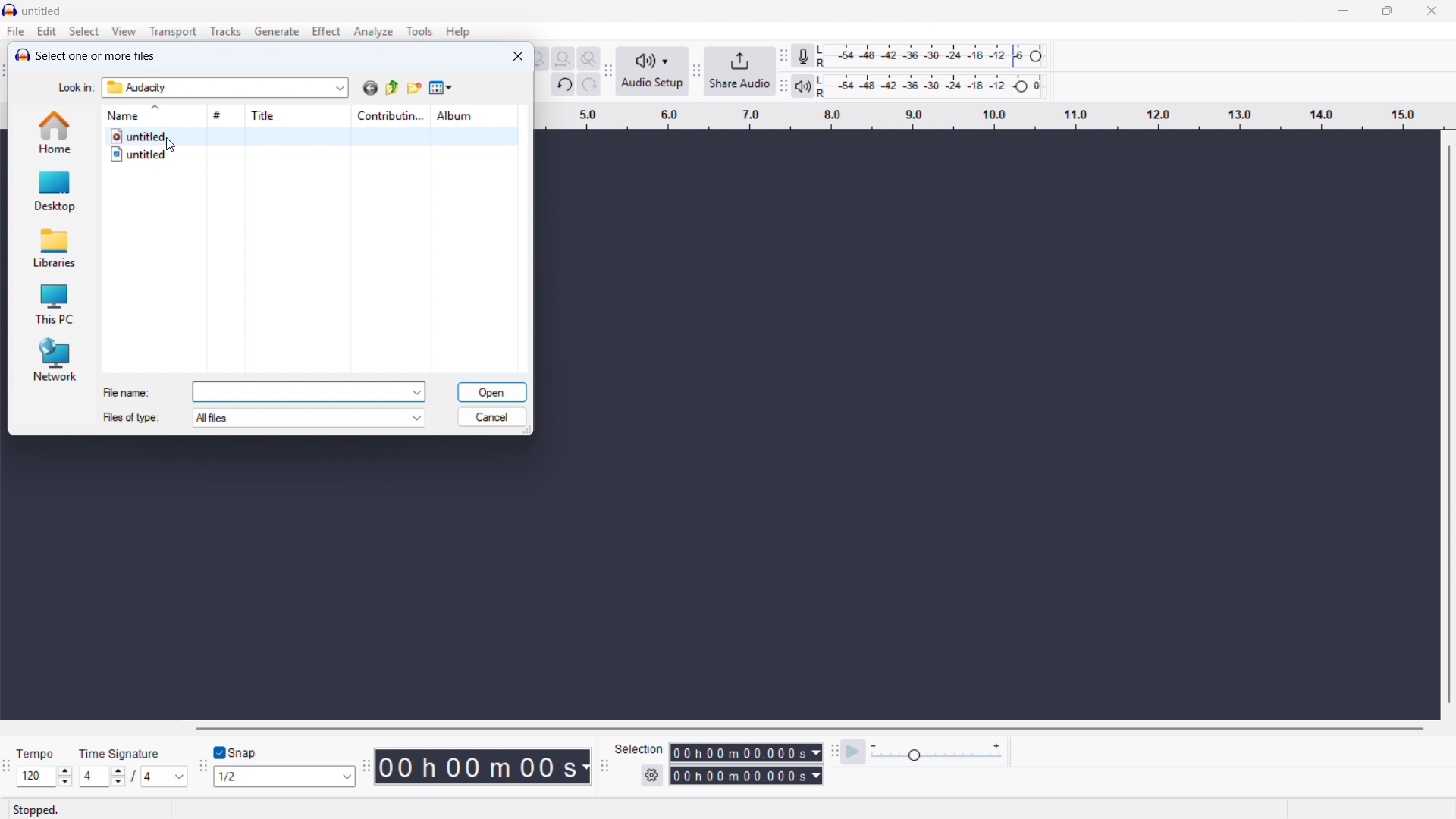 The width and height of the screenshot is (1456, 819). Describe the element at coordinates (740, 72) in the screenshot. I see `Share audio ` at that location.